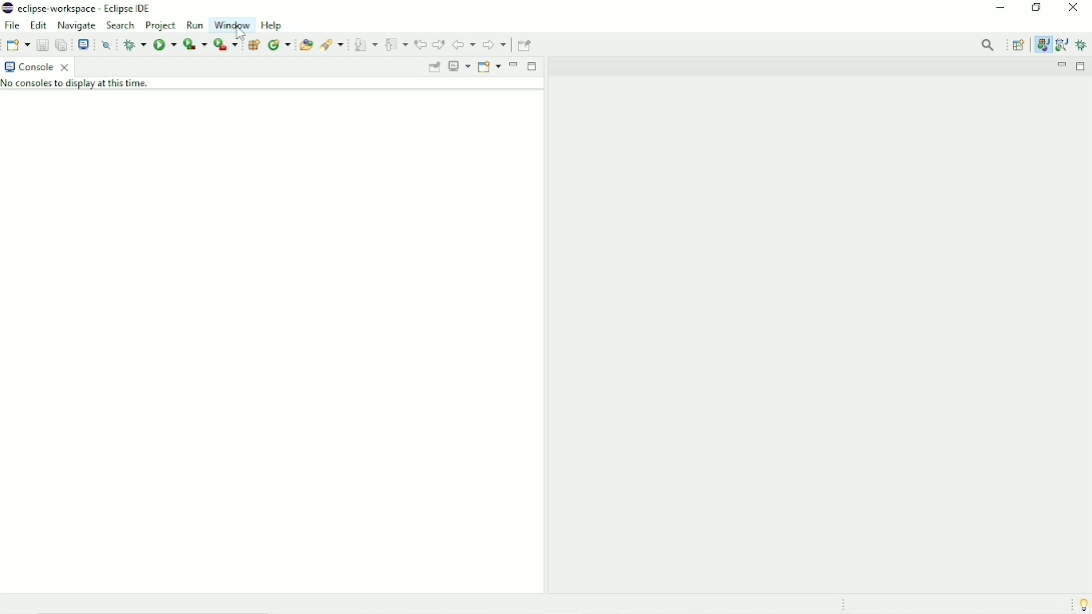 The height and width of the screenshot is (614, 1092). I want to click on New java class, so click(279, 45).